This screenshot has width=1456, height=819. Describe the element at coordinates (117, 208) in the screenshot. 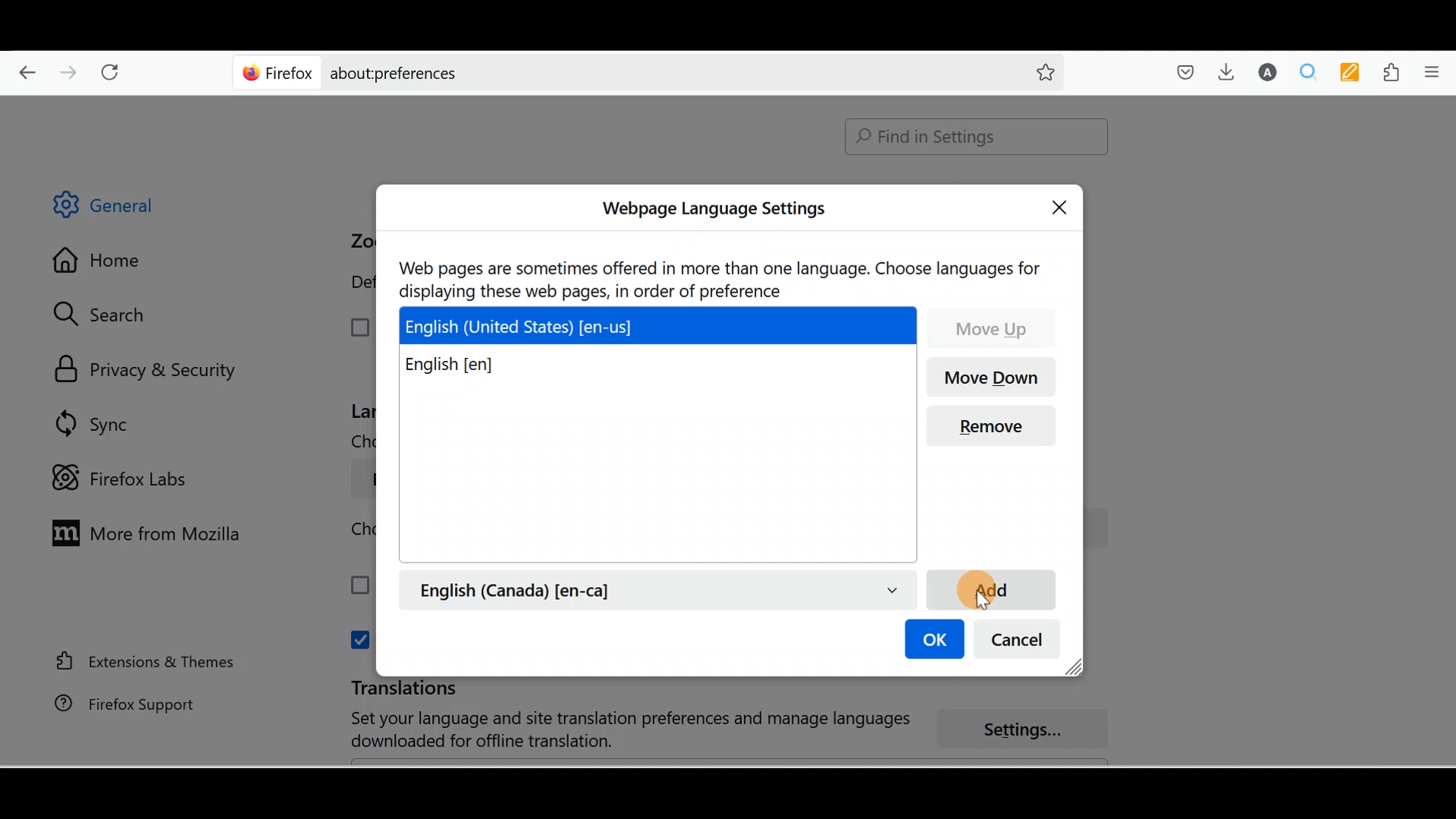

I see `General` at that location.